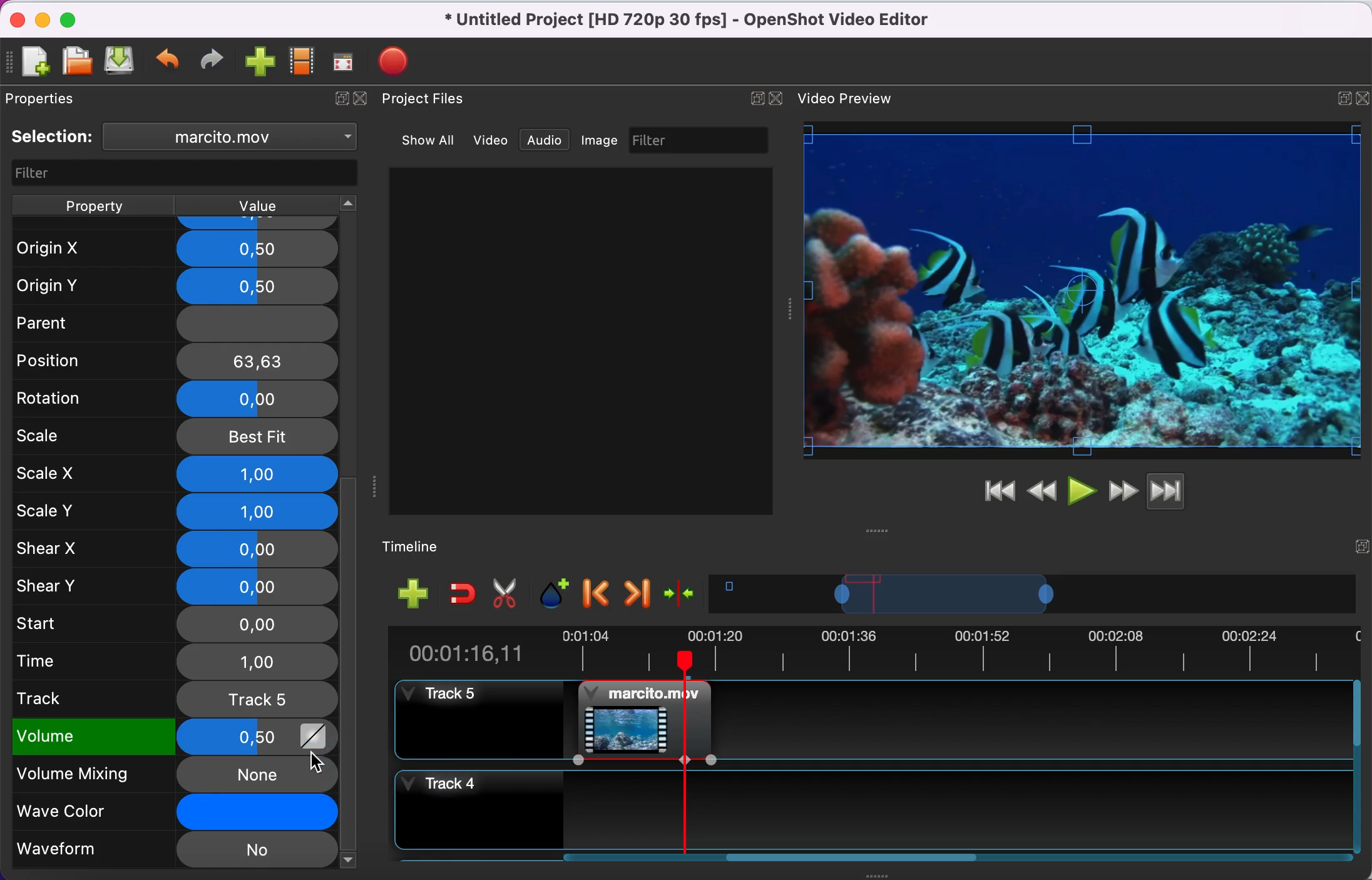 Image resolution: width=1372 pixels, height=880 pixels. What do you see at coordinates (170, 322) in the screenshot?
I see `parent` at bounding box center [170, 322].